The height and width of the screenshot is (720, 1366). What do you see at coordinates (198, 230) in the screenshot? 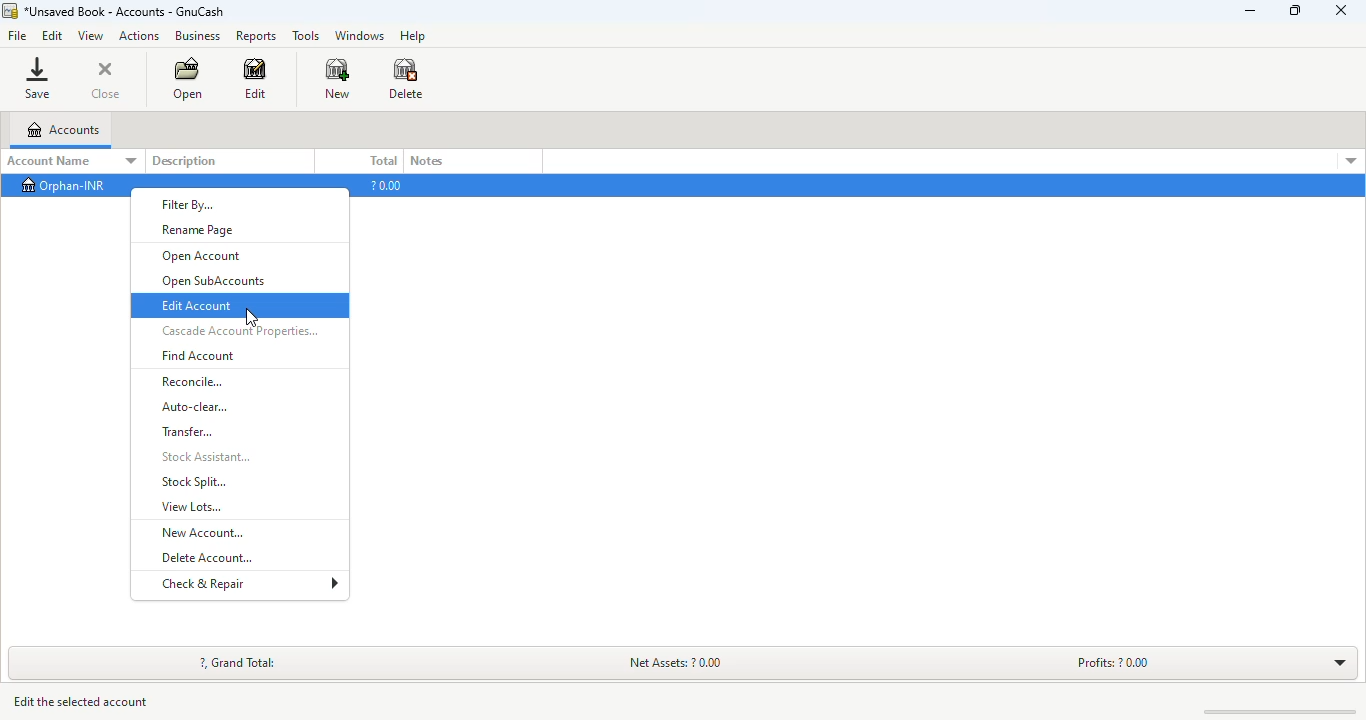
I see `rename page` at bounding box center [198, 230].